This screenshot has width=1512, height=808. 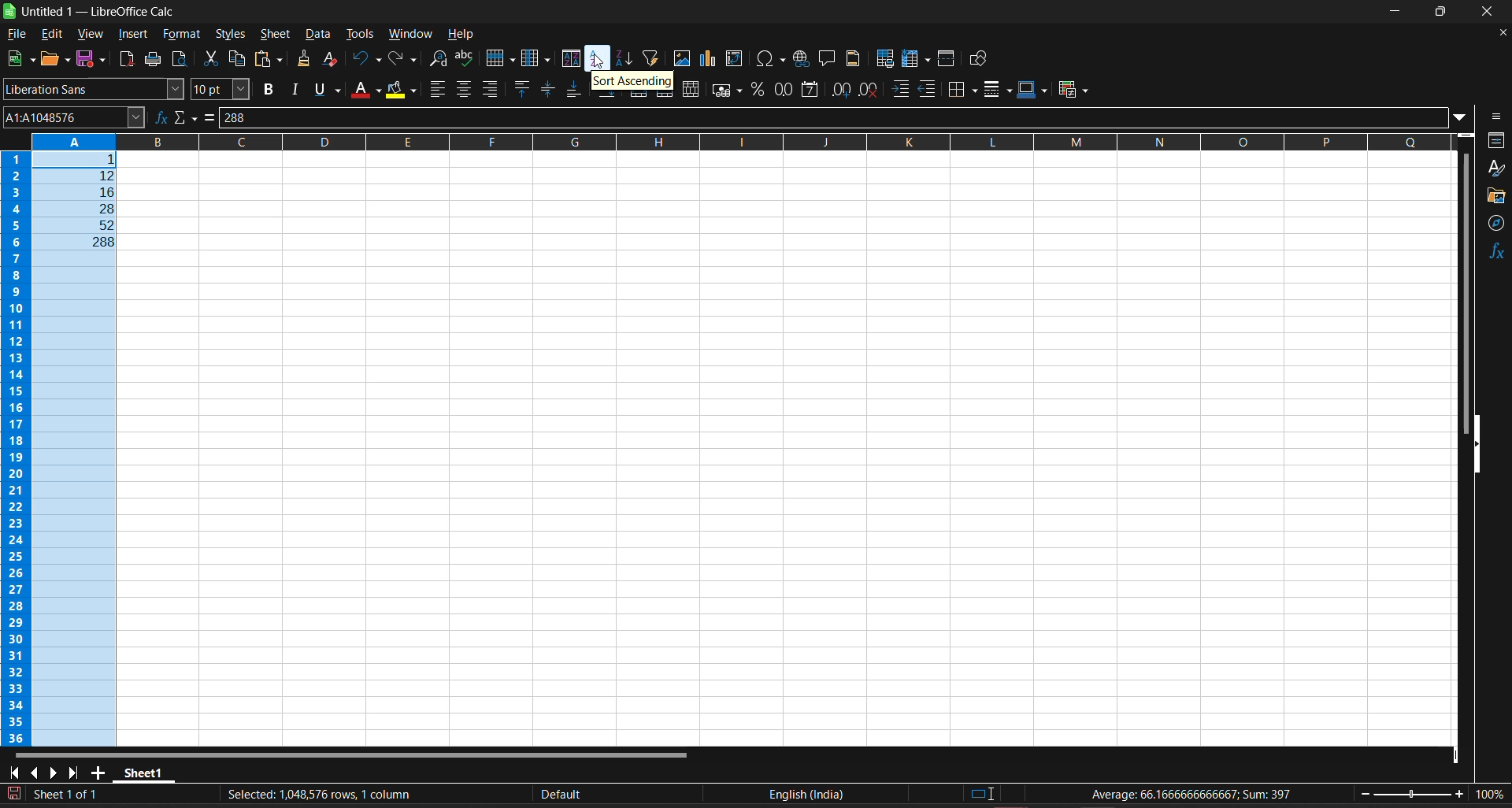 I want to click on vertical scroll bar, so click(x=1462, y=294).